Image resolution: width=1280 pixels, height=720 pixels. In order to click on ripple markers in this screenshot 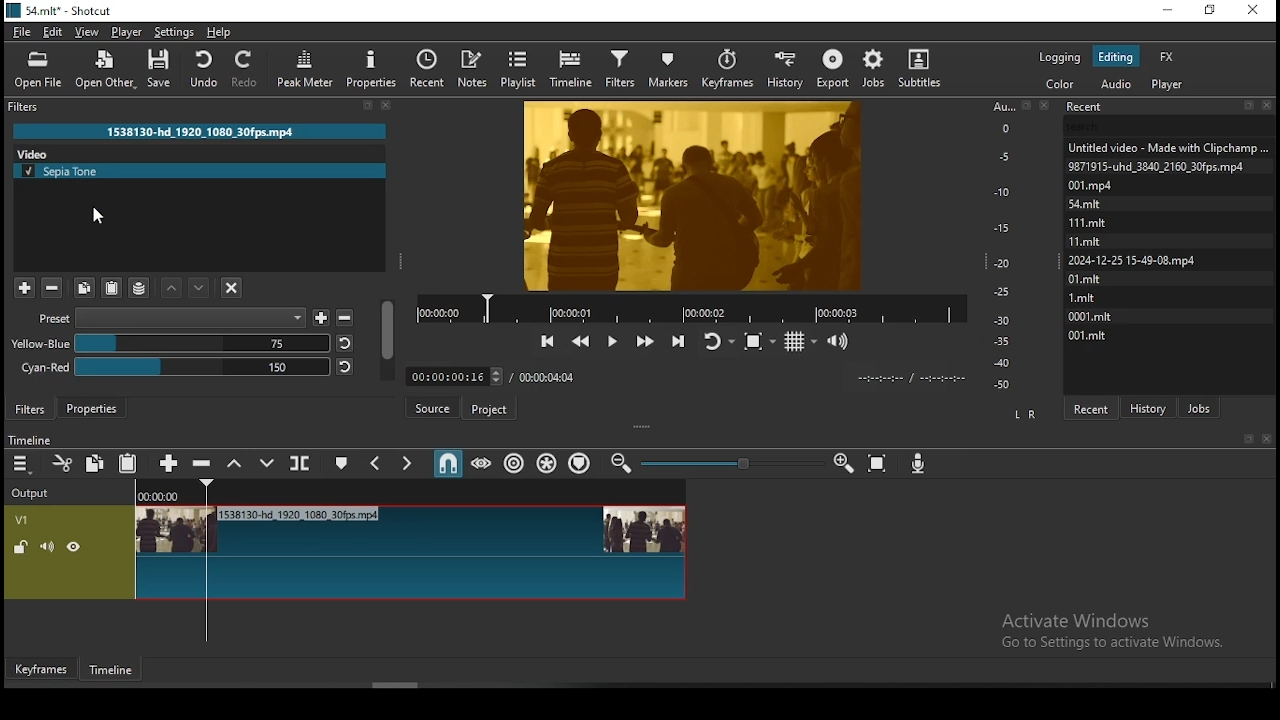, I will do `click(581, 464)`.